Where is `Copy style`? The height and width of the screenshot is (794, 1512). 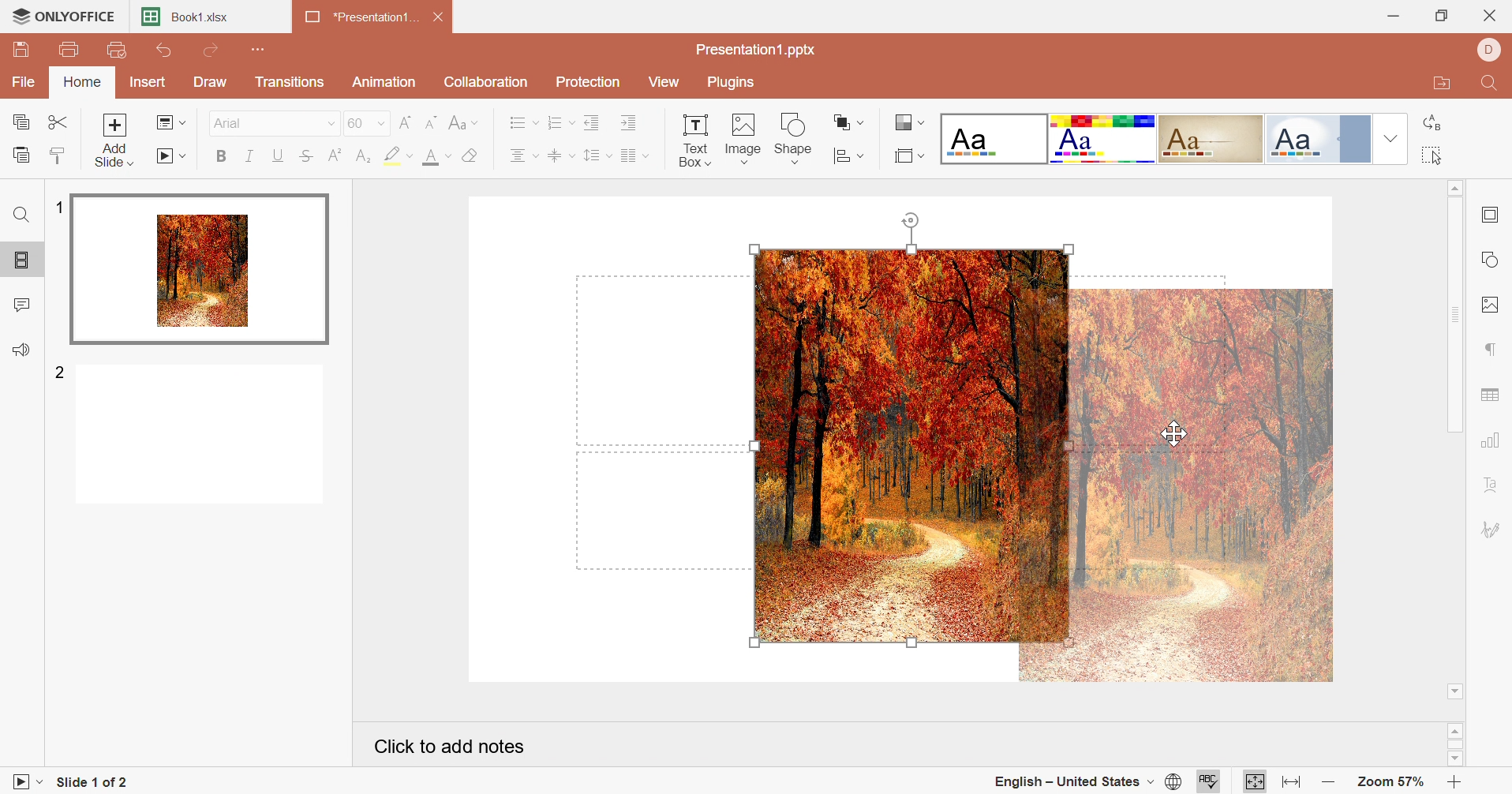
Copy style is located at coordinates (61, 156).